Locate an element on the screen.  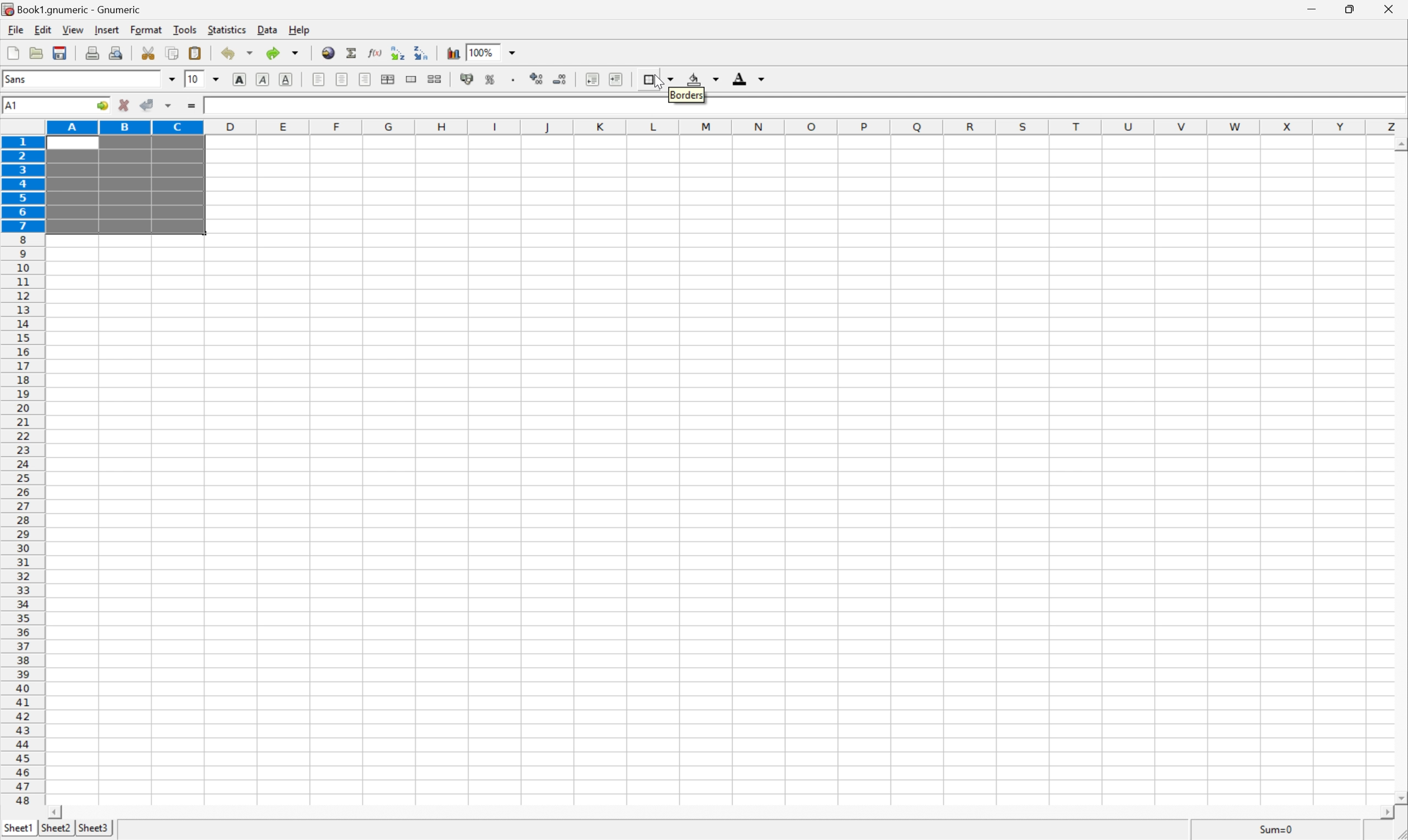
edit function in current cell is located at coordinates (375, 52).